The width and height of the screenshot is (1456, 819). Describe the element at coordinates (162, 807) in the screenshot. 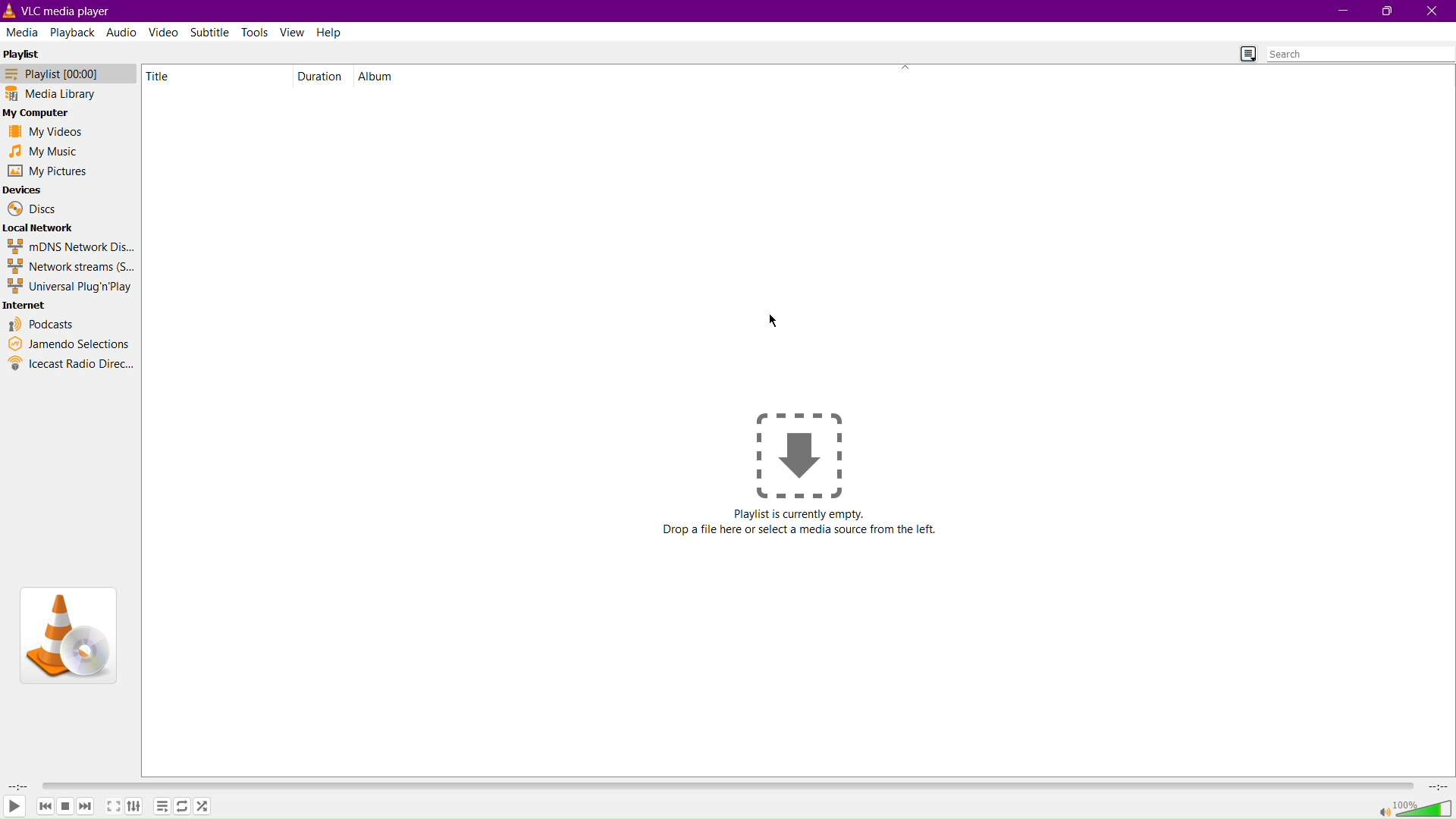

I see `Playlist` at that location.